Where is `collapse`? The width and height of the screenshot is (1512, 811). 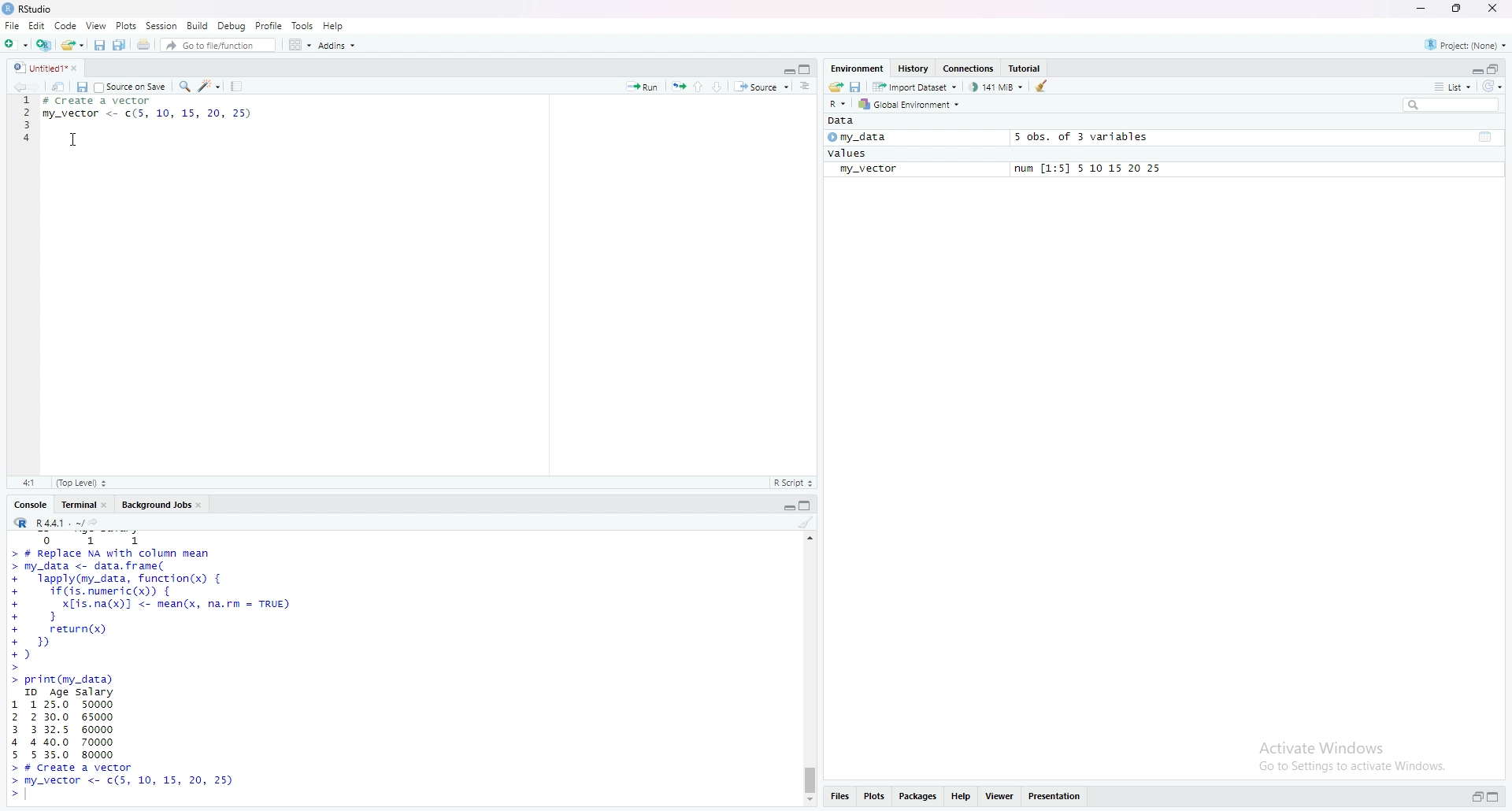 collapse is located at coordinates (807, 69).